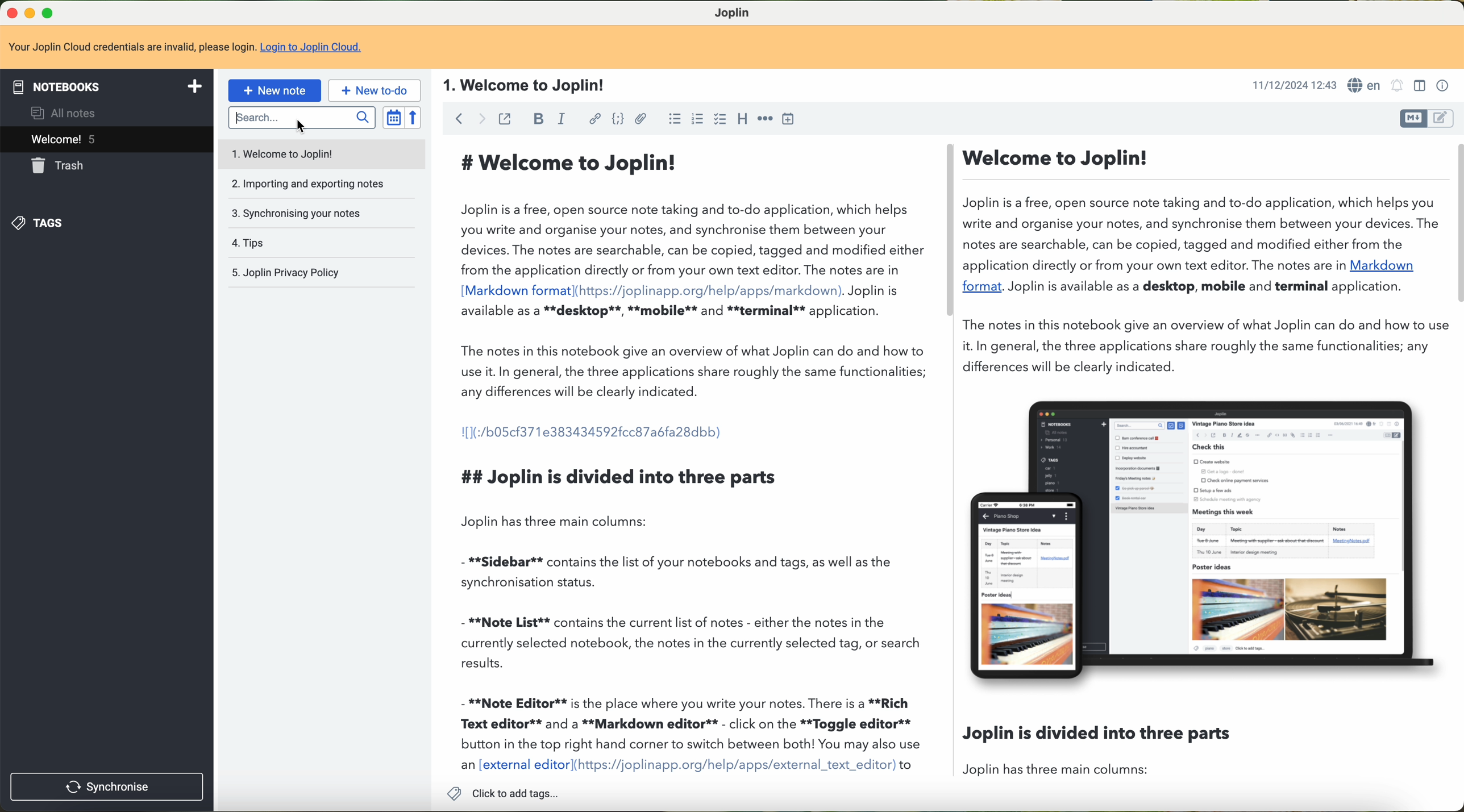 This screenshot has width=1464, height=812. Describe the element at coordinates (764, 119) in the screenshot. I see `horizontal rule` at that location.